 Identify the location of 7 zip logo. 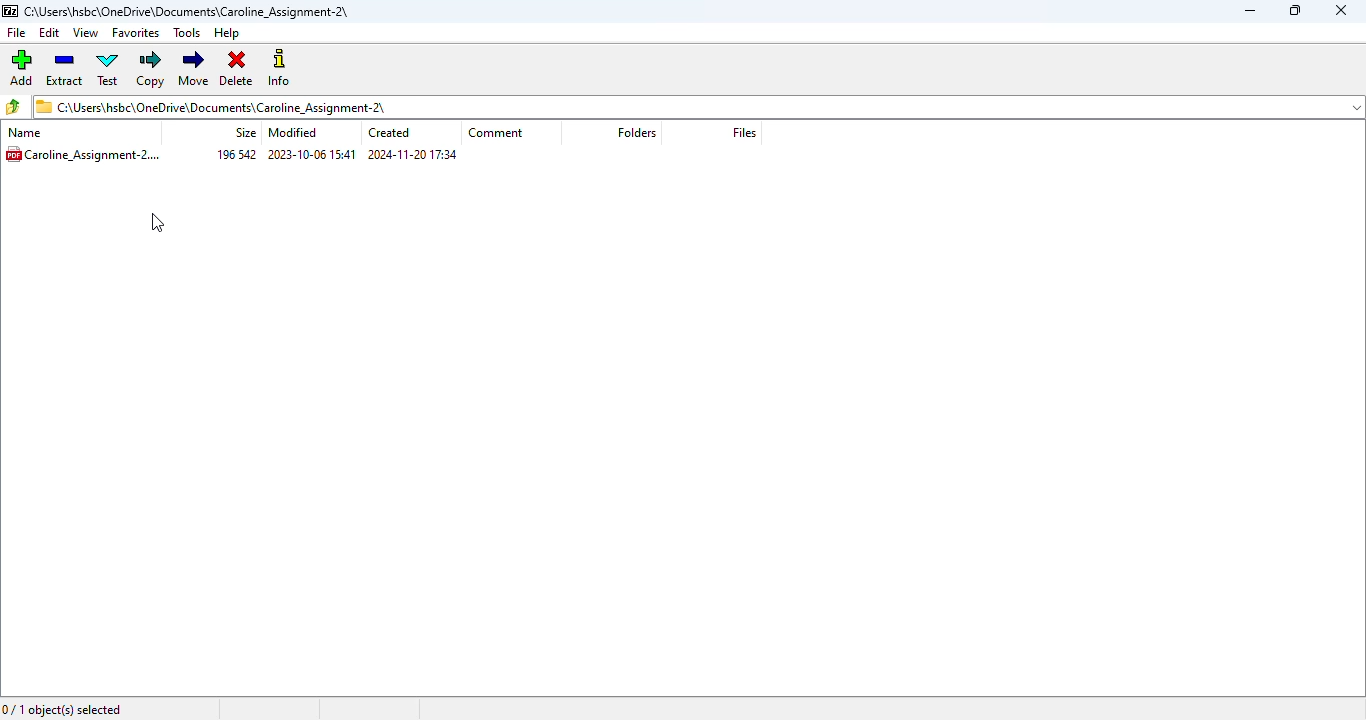
(9, 11).